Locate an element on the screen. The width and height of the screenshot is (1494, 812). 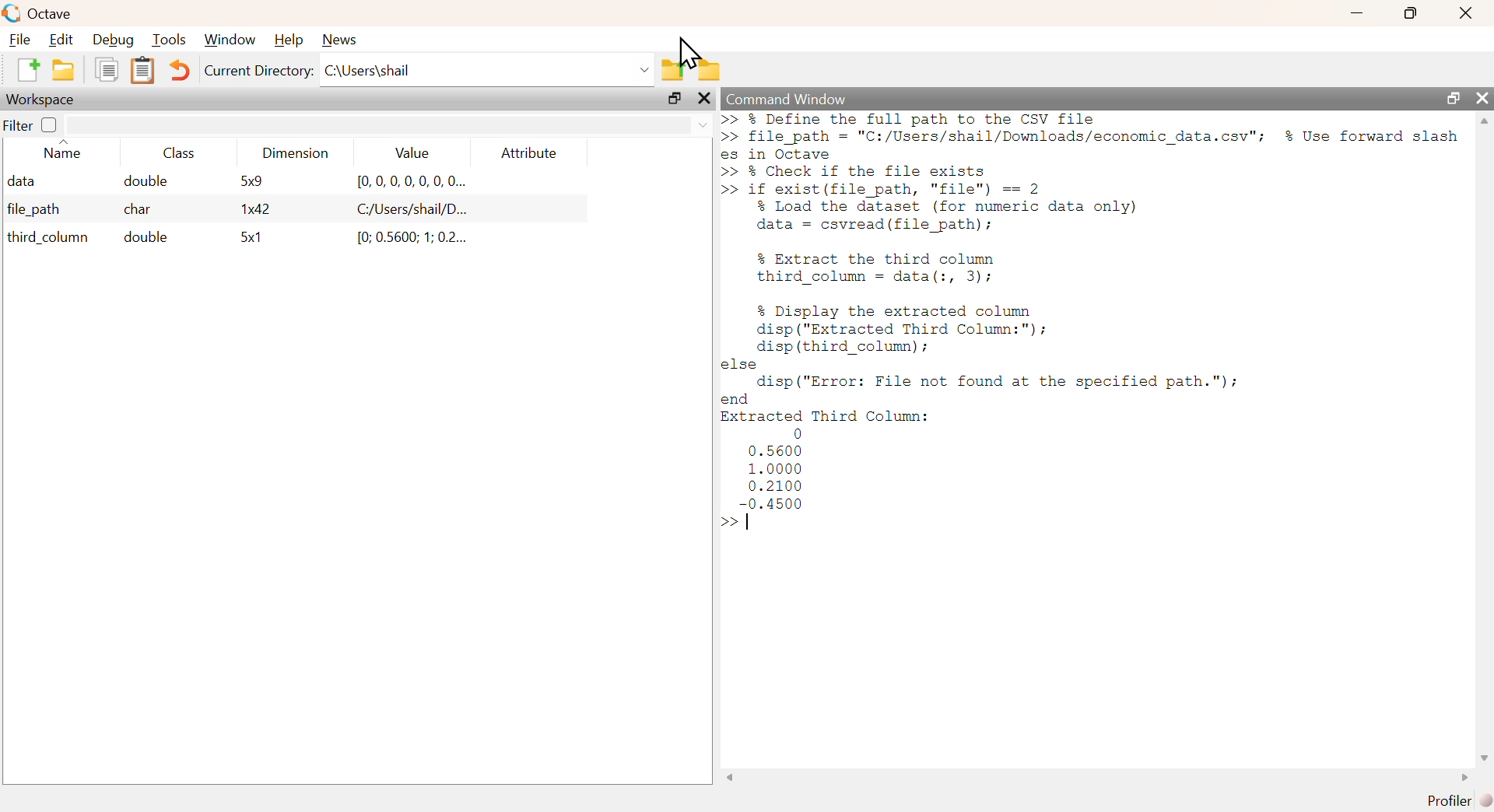
parent directory is located at coordinates (676, 69).